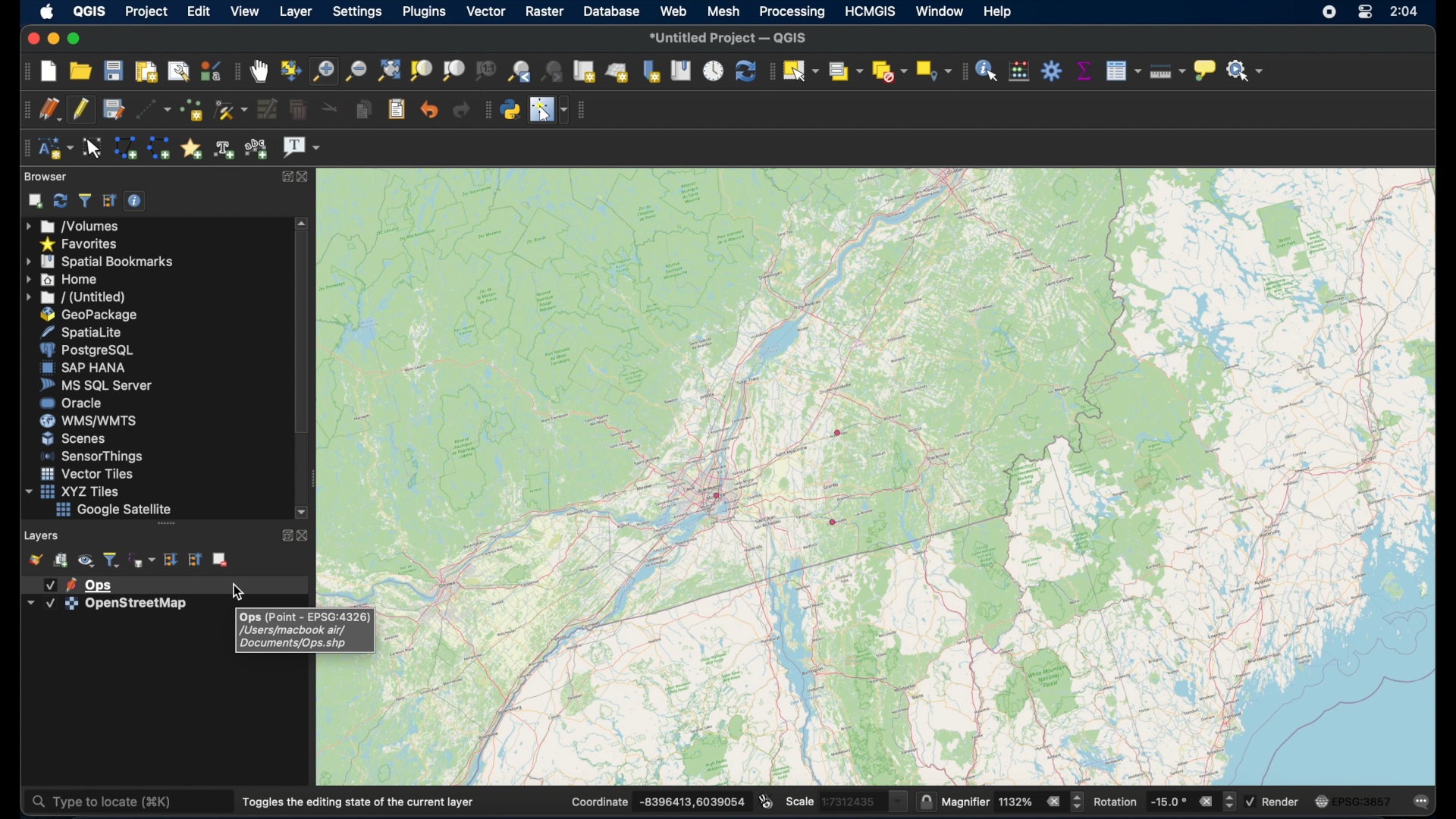  Describe the element at coordinates (1068, 657) in the screenshot. I see `open street map` at that location.